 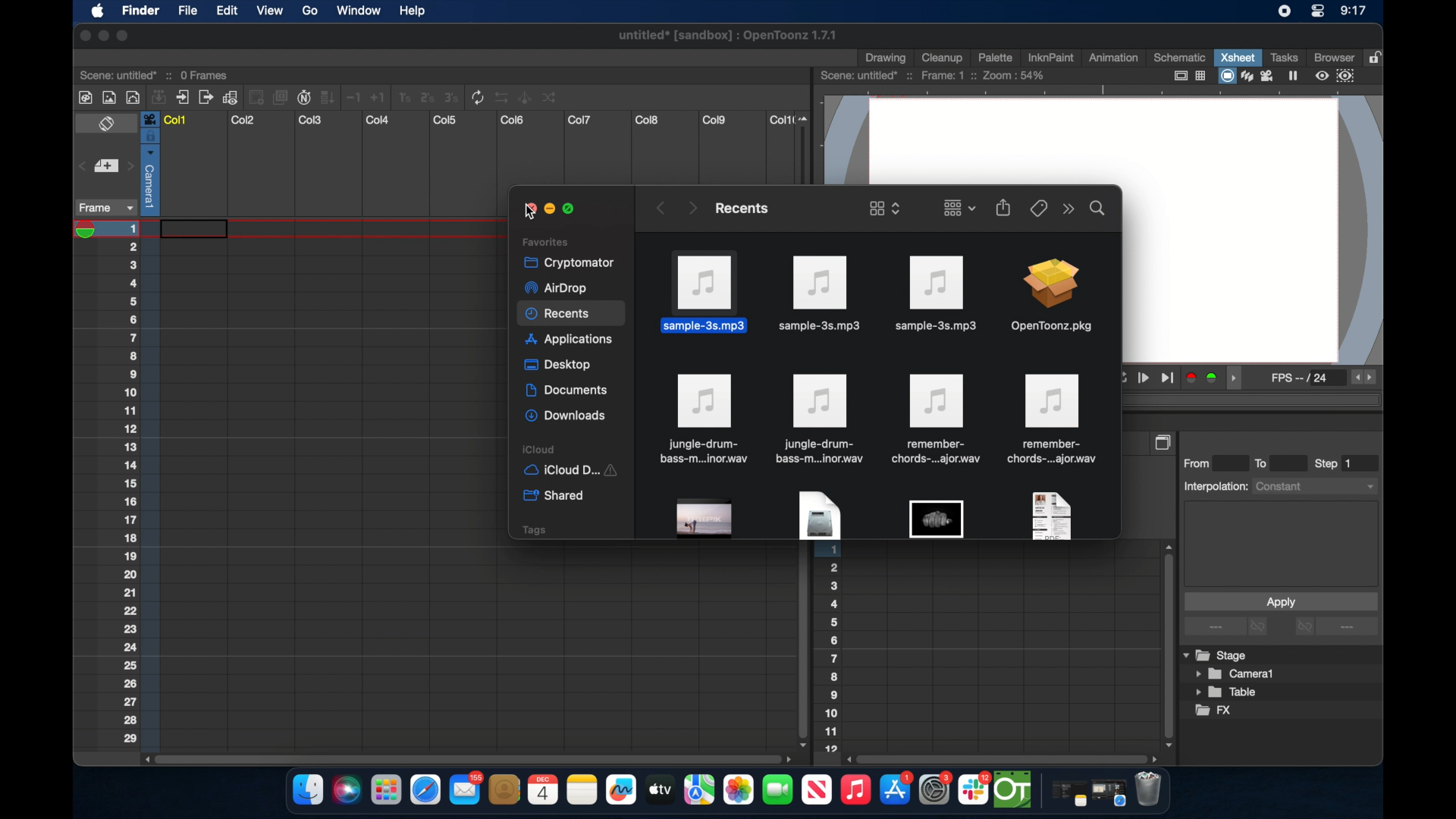 I want to click on package icon, so click(x=1050, y=297).